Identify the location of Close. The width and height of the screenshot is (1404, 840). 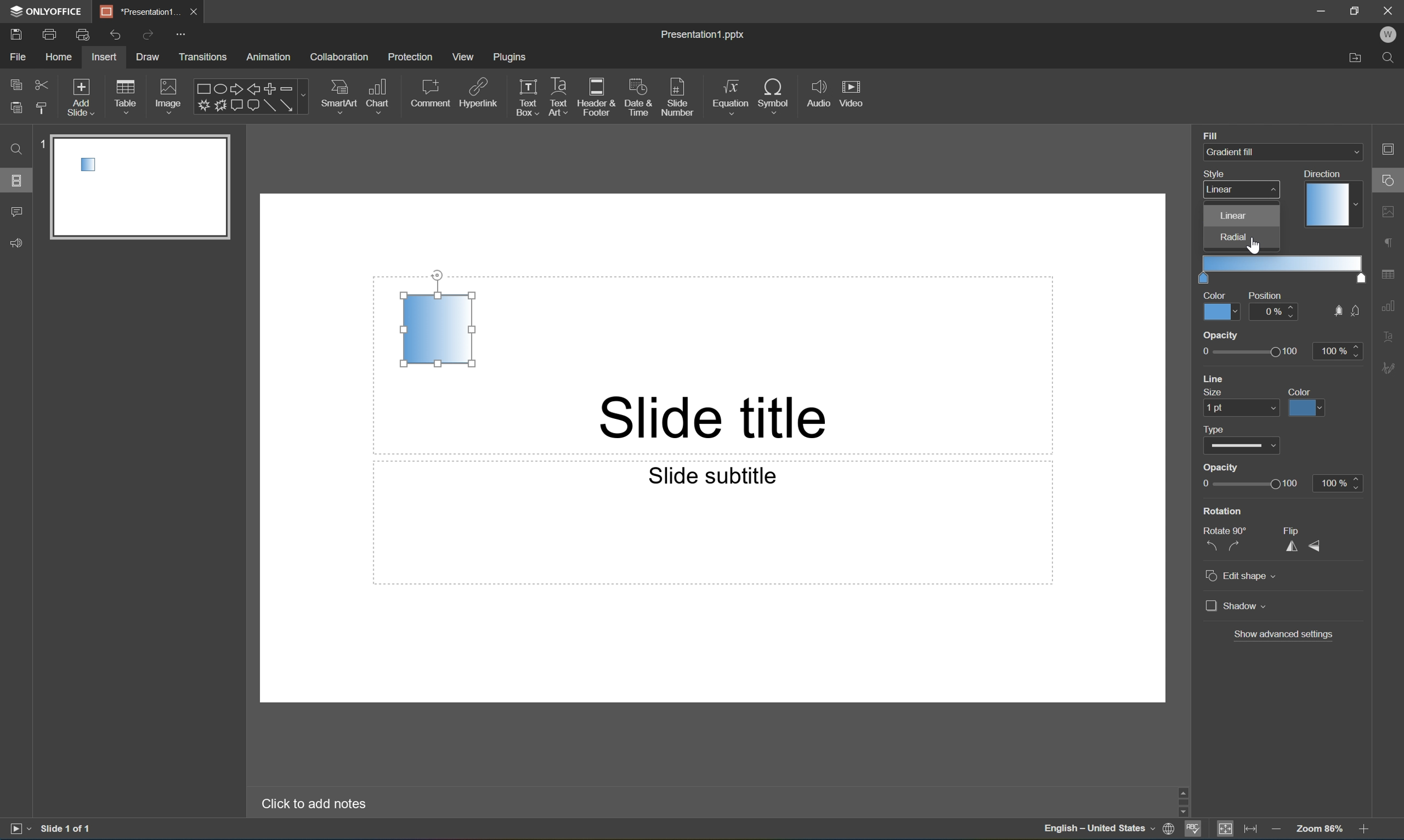
(1392, 10).